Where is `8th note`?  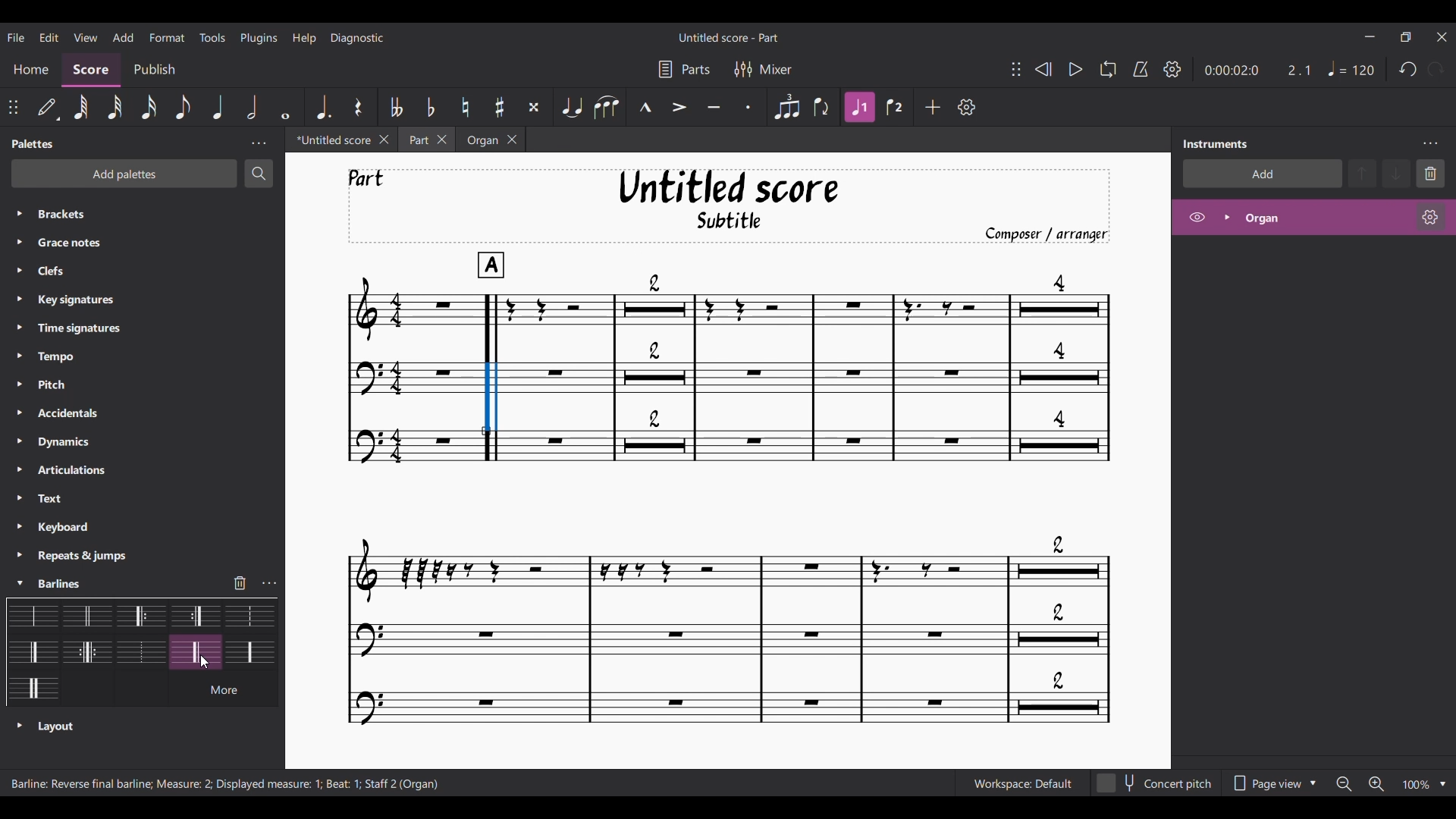
8th note is located at coordinates (181, 107).